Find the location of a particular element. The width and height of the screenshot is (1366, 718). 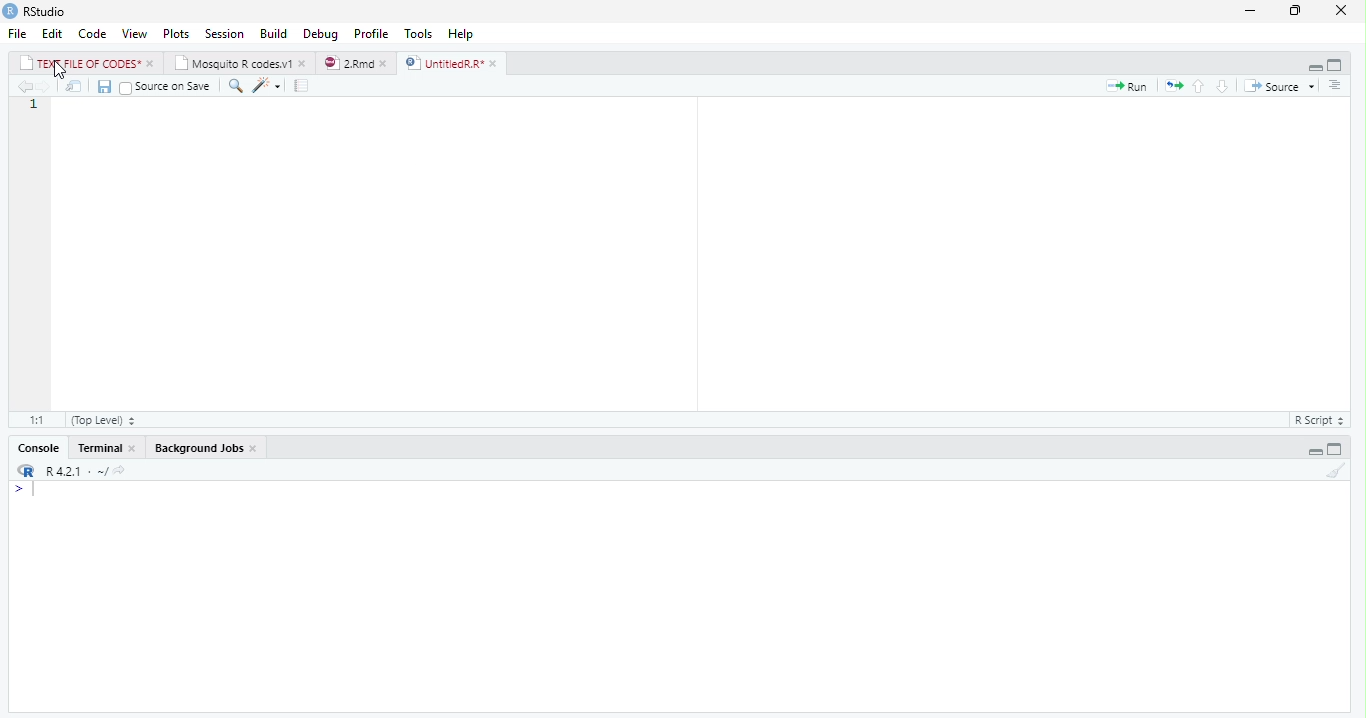

1:1 is located at coordinates (34, 419).